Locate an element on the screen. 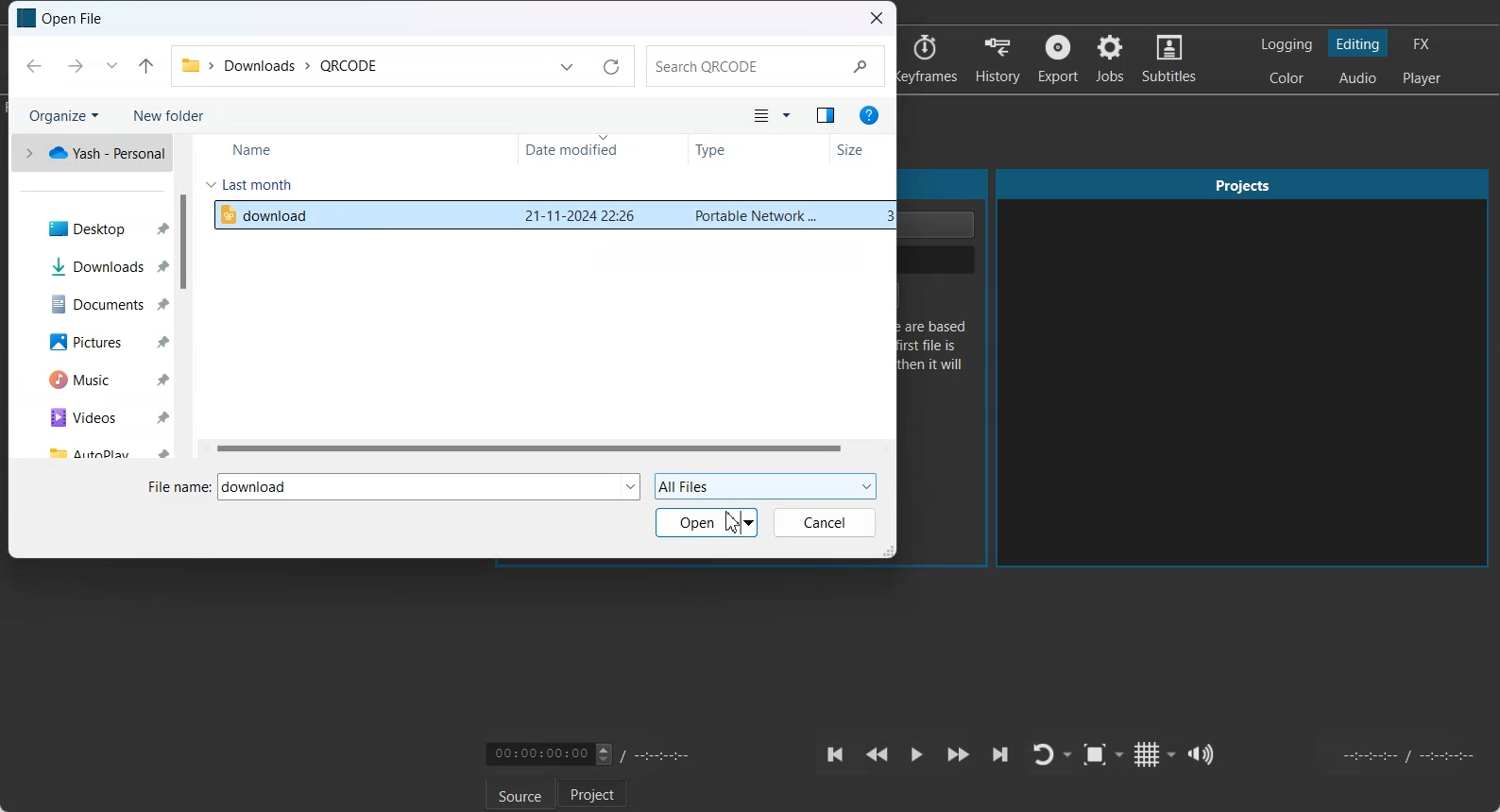 Image resolution: width=1500 pixels, height=812 pixels. Switching to the Effect layout is located at coordinates (1423, 43).